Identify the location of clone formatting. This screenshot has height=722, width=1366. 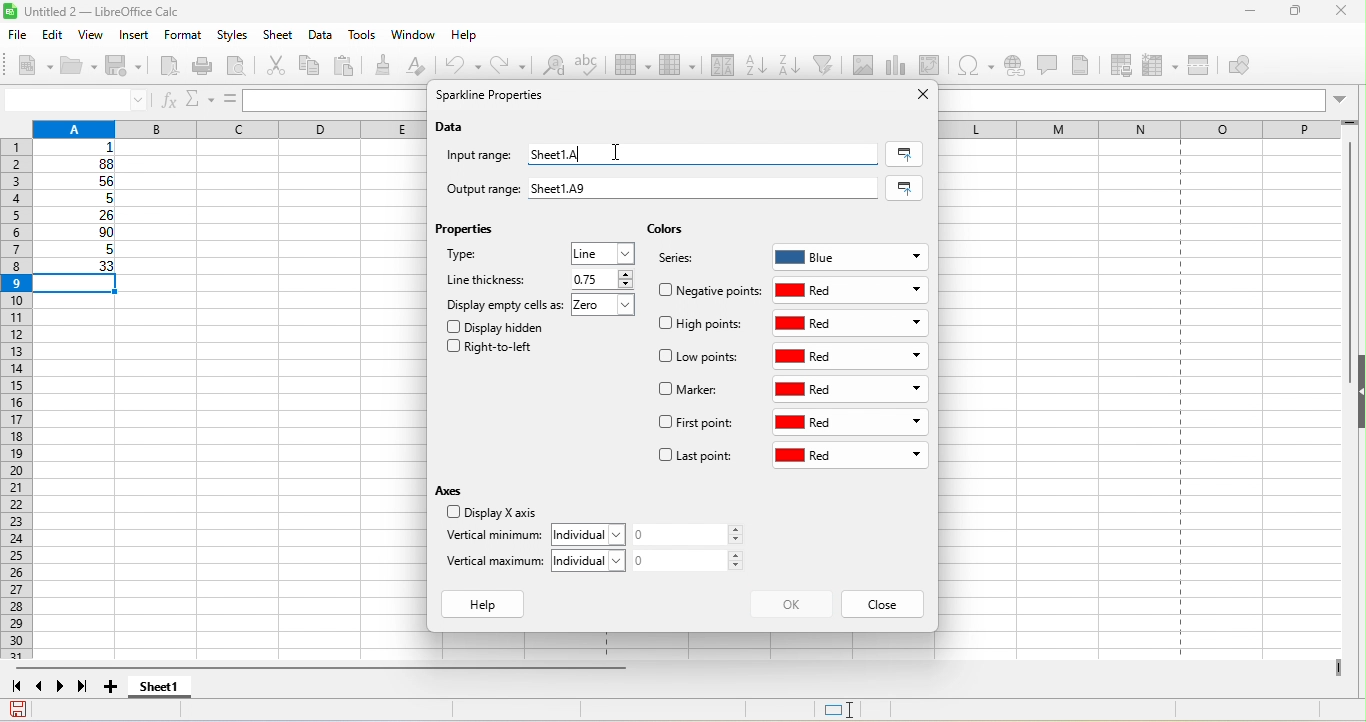
(387, 65).